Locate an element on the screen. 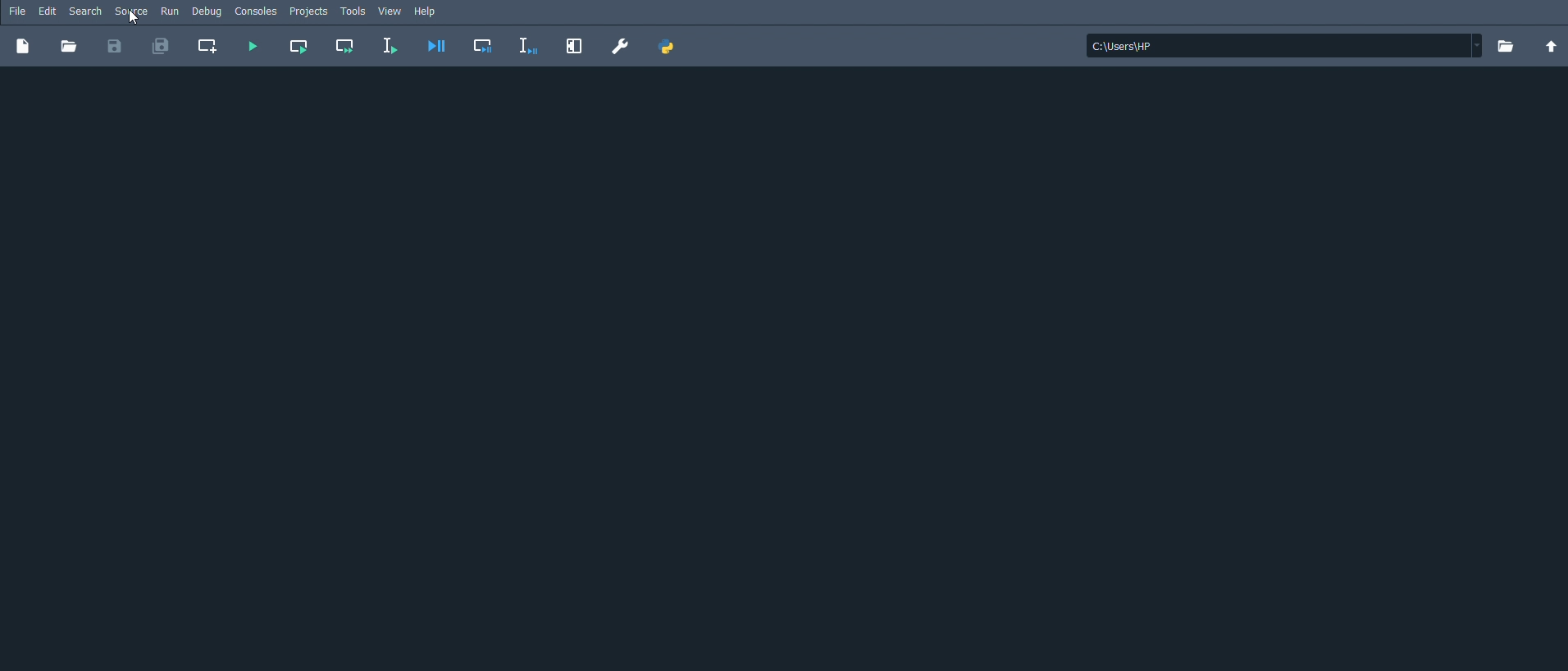  Debug selection or current line is located at coordinates (526, 46).